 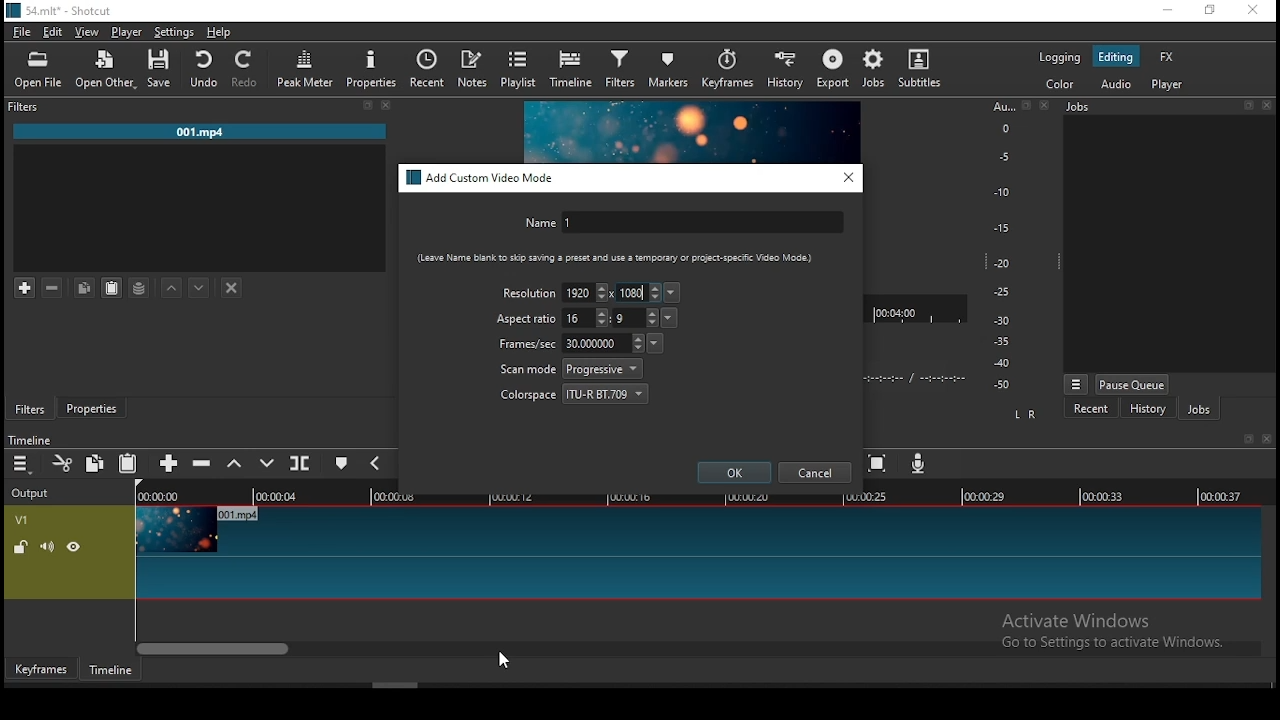 What do you see at coordinates (247, 69) in the screenshot?
I see `redo` at bounding box center [247, 69].